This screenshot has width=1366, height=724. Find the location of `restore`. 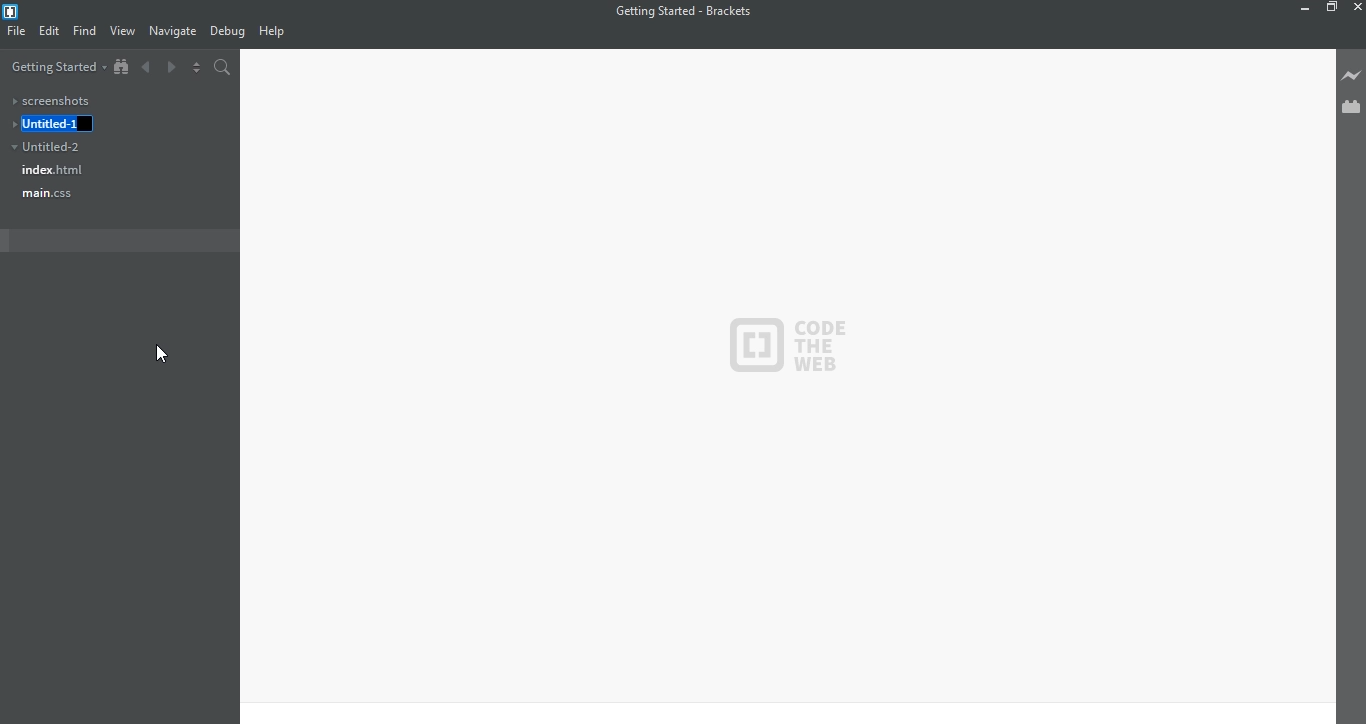

restore is located at coordinates (1333, 9).